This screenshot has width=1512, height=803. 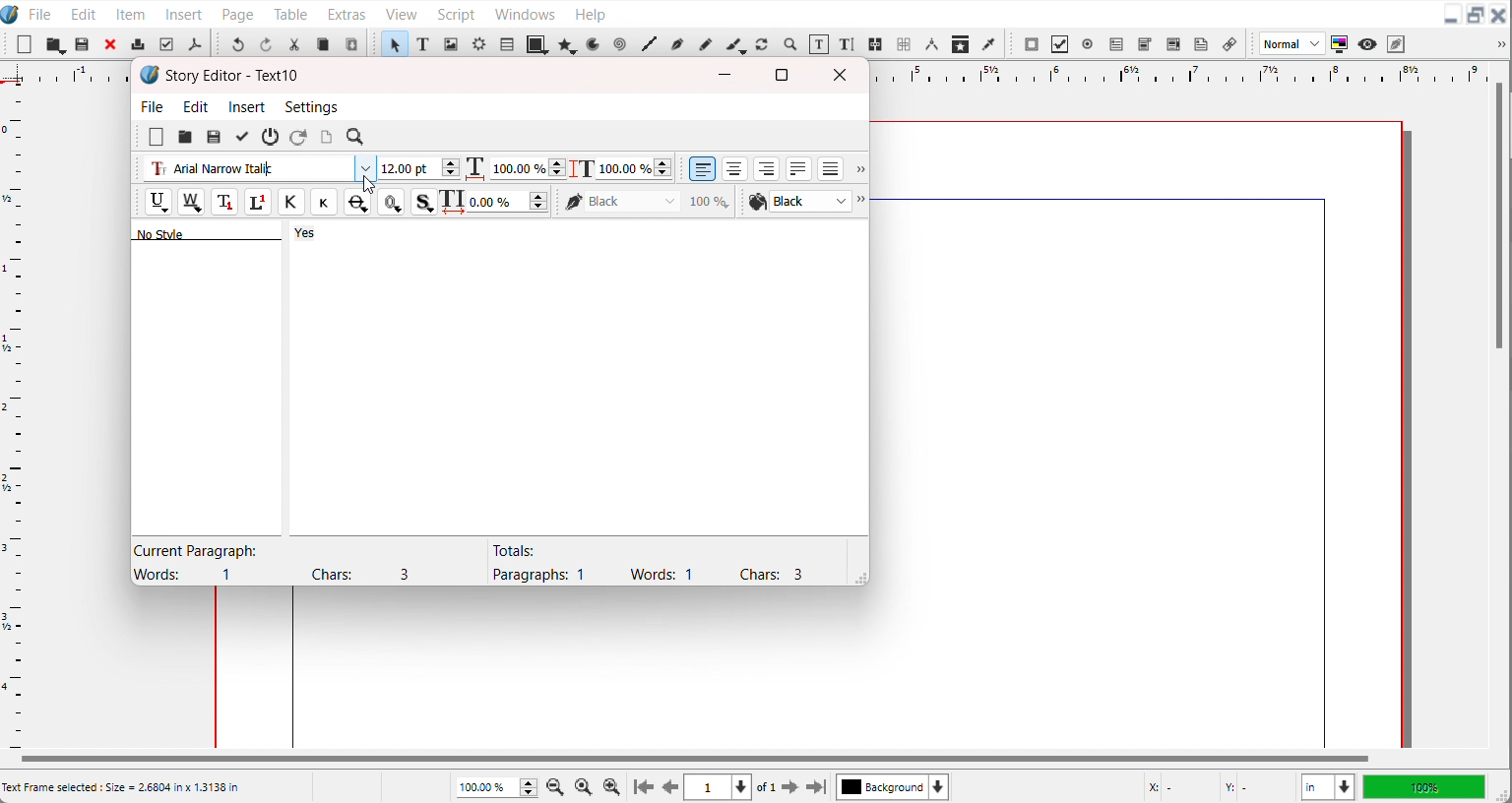 What do you see at coordinates (258, 169) in the screenshot?
I see `Font type` at bounding box center [258, 169].